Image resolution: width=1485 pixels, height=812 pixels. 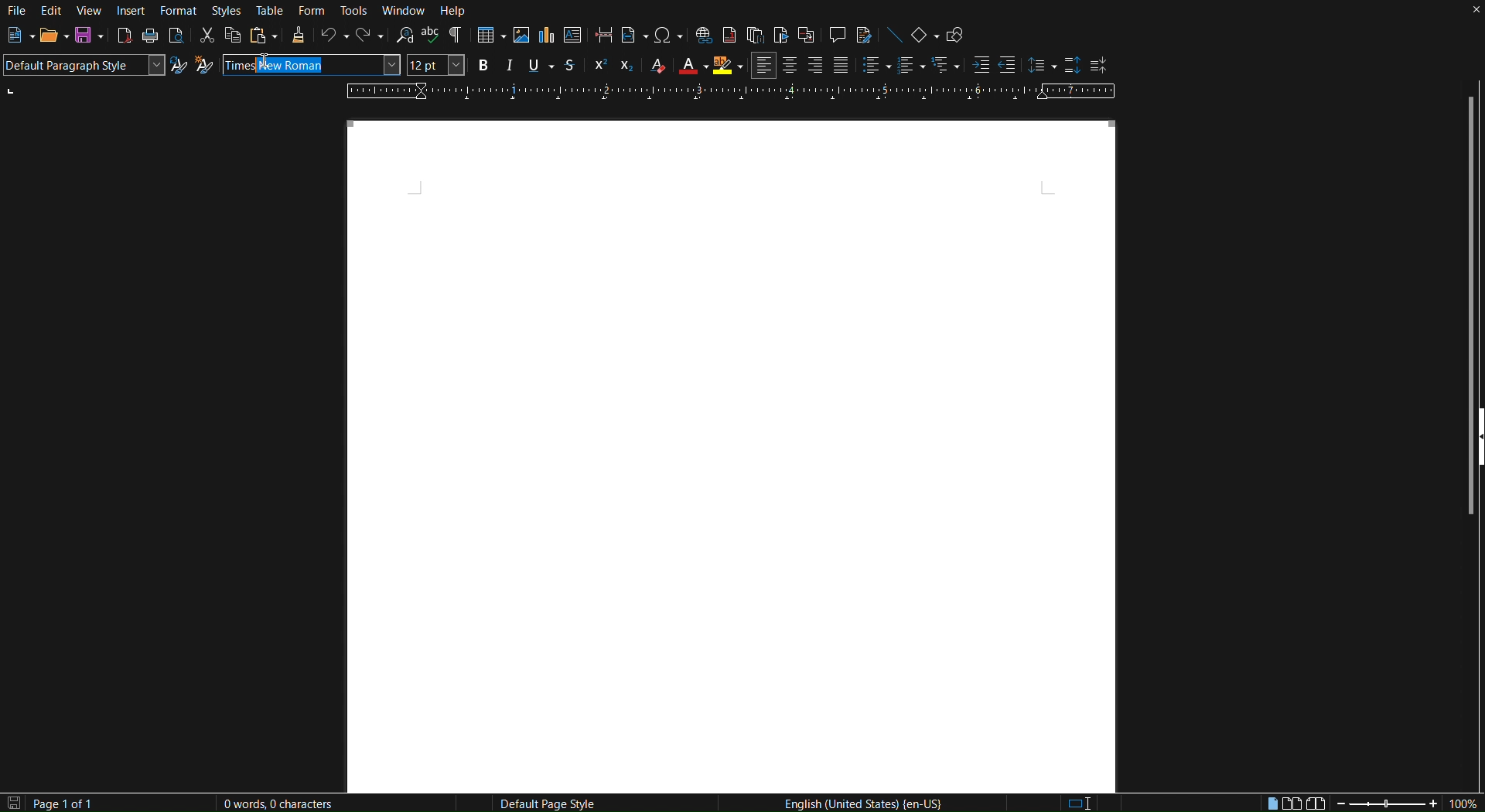 What do you see at coordinates (632, 36) in the screenshot?
I see `Insert Field` at bounding box center [632, 36].